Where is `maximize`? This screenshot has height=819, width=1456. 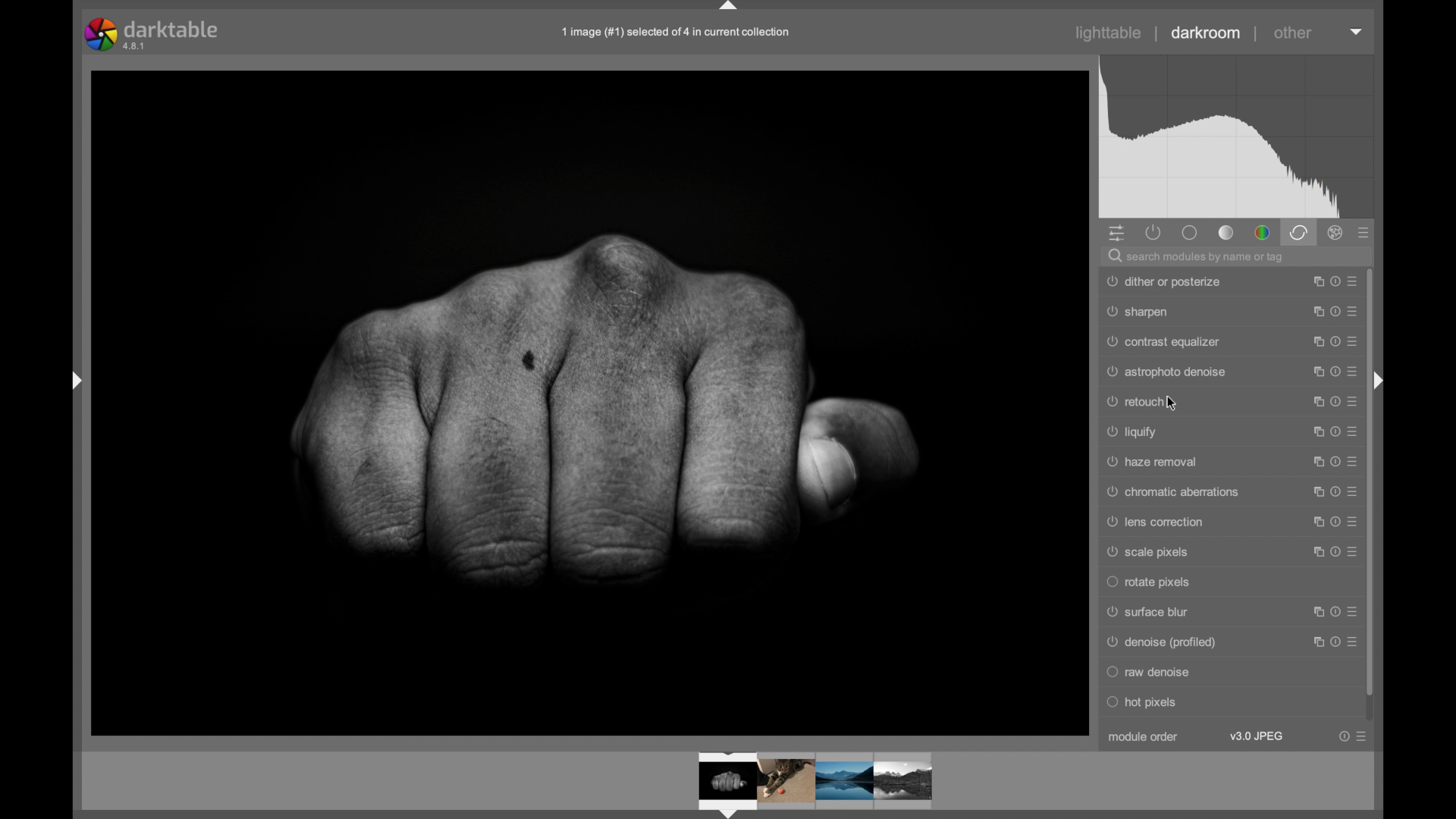 maximize is located at coordinates (1313, 492).